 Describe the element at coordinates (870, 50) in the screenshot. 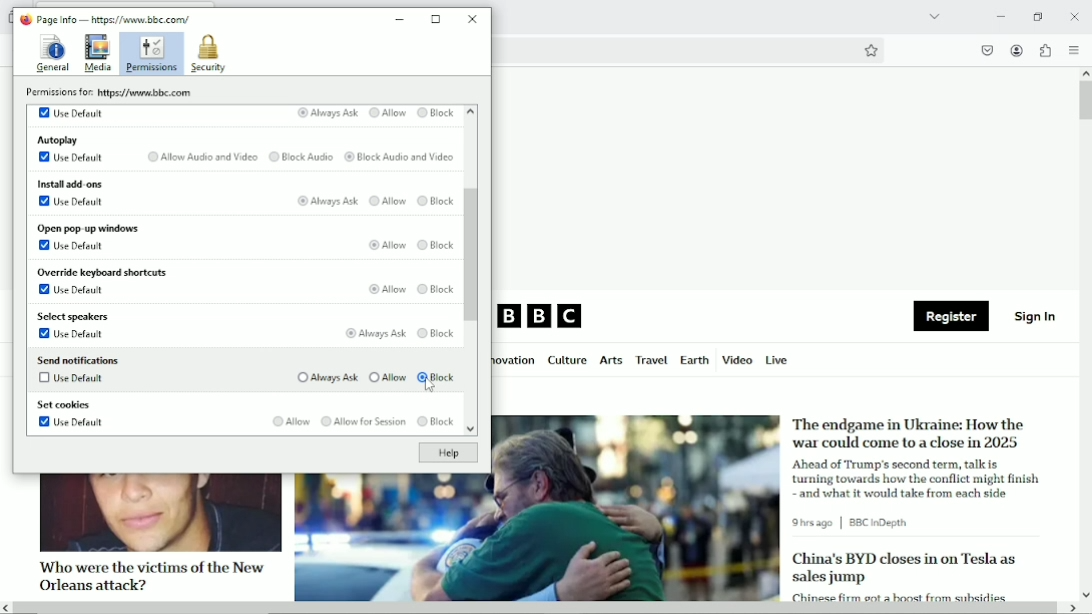

I see `Bookmark this page` at that location.